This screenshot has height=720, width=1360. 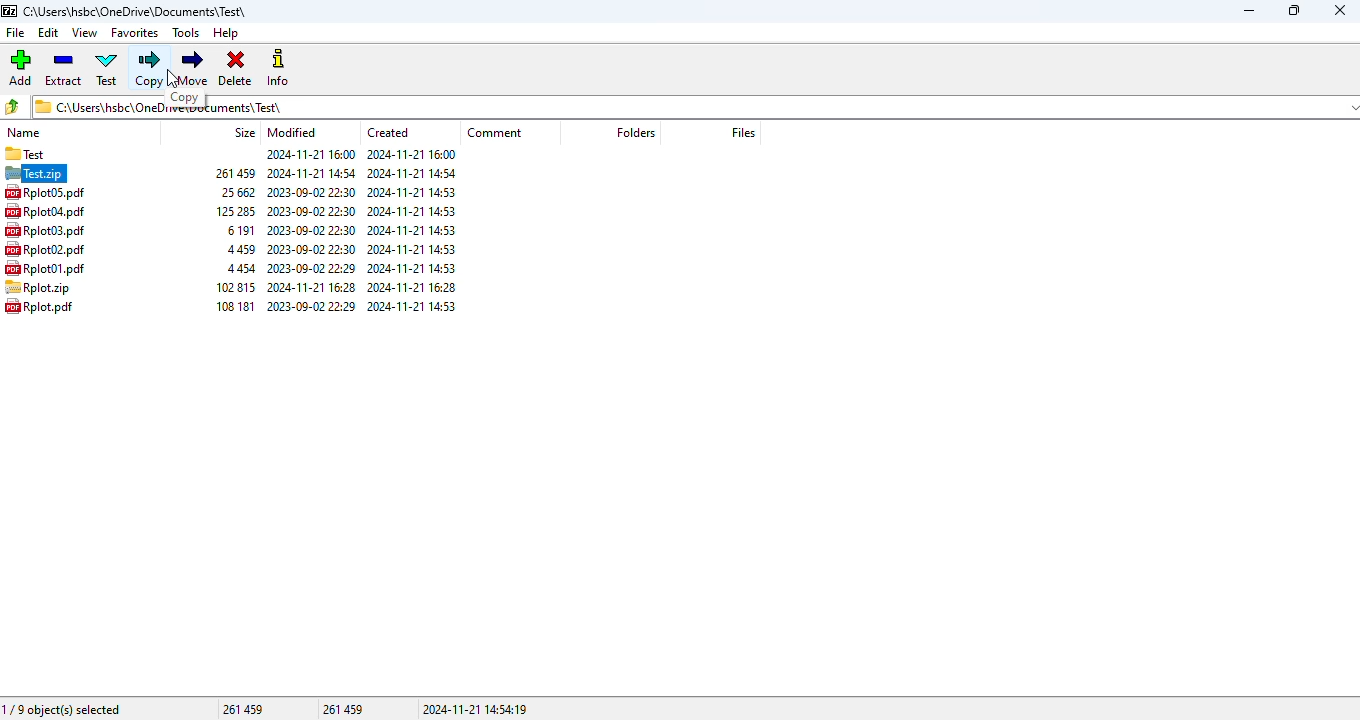 I want to click on cursor, so click(x=172, y=79).